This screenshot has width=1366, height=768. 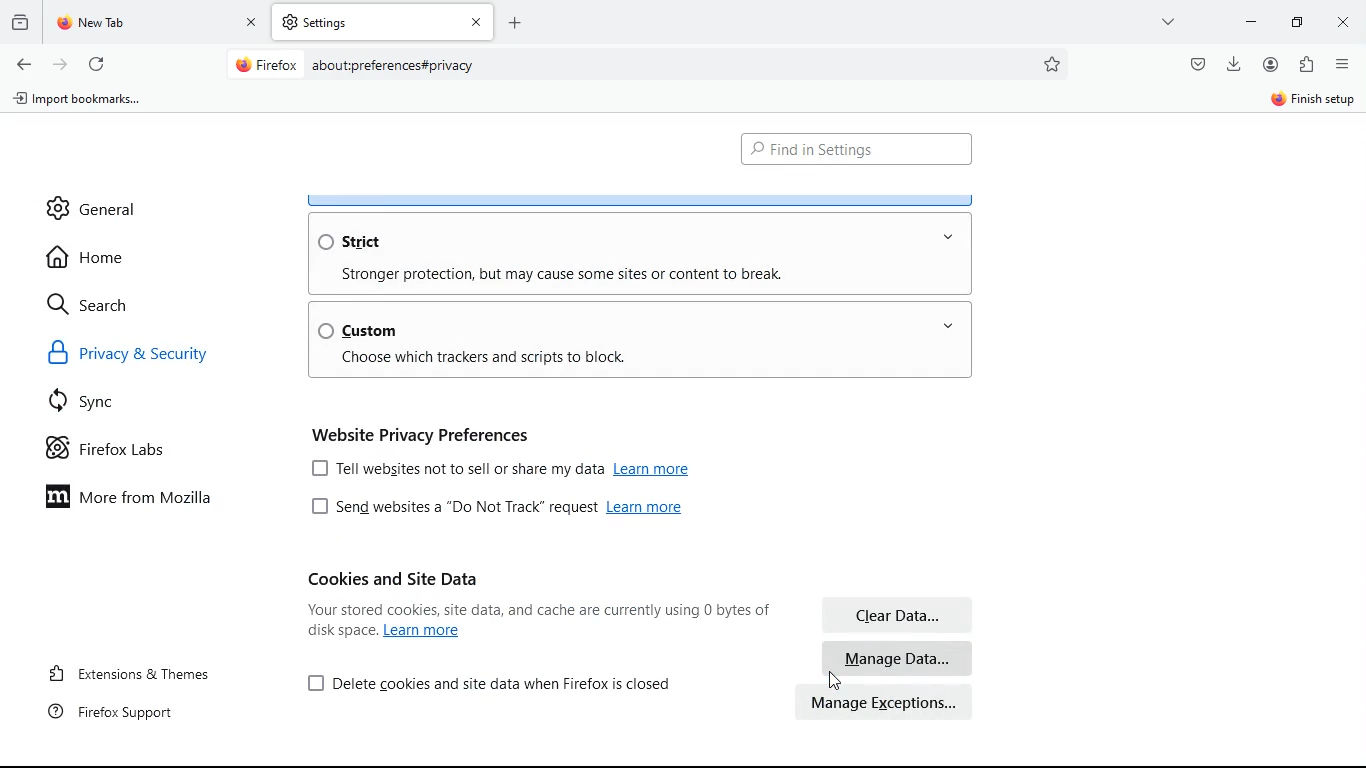 I want to click on download, so click(x=1234, y=62).